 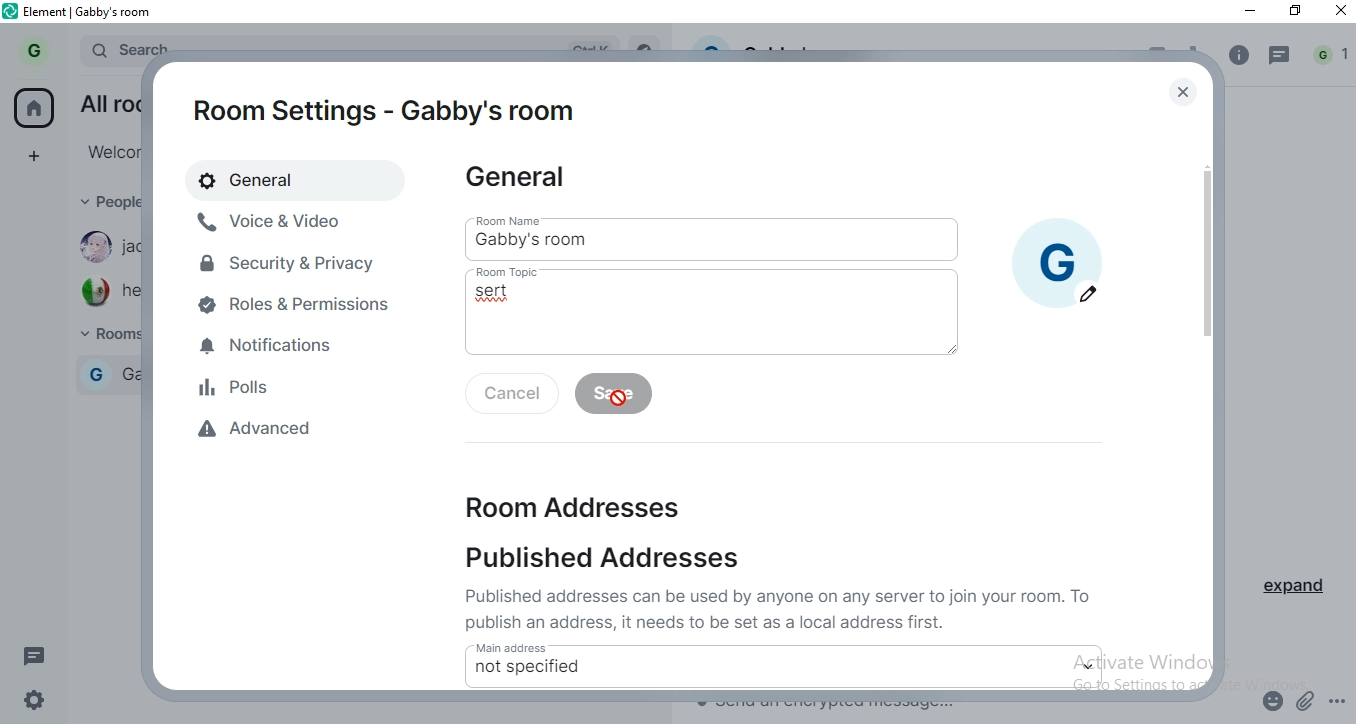 I want to click on expand, so click(x=1302, y=591).